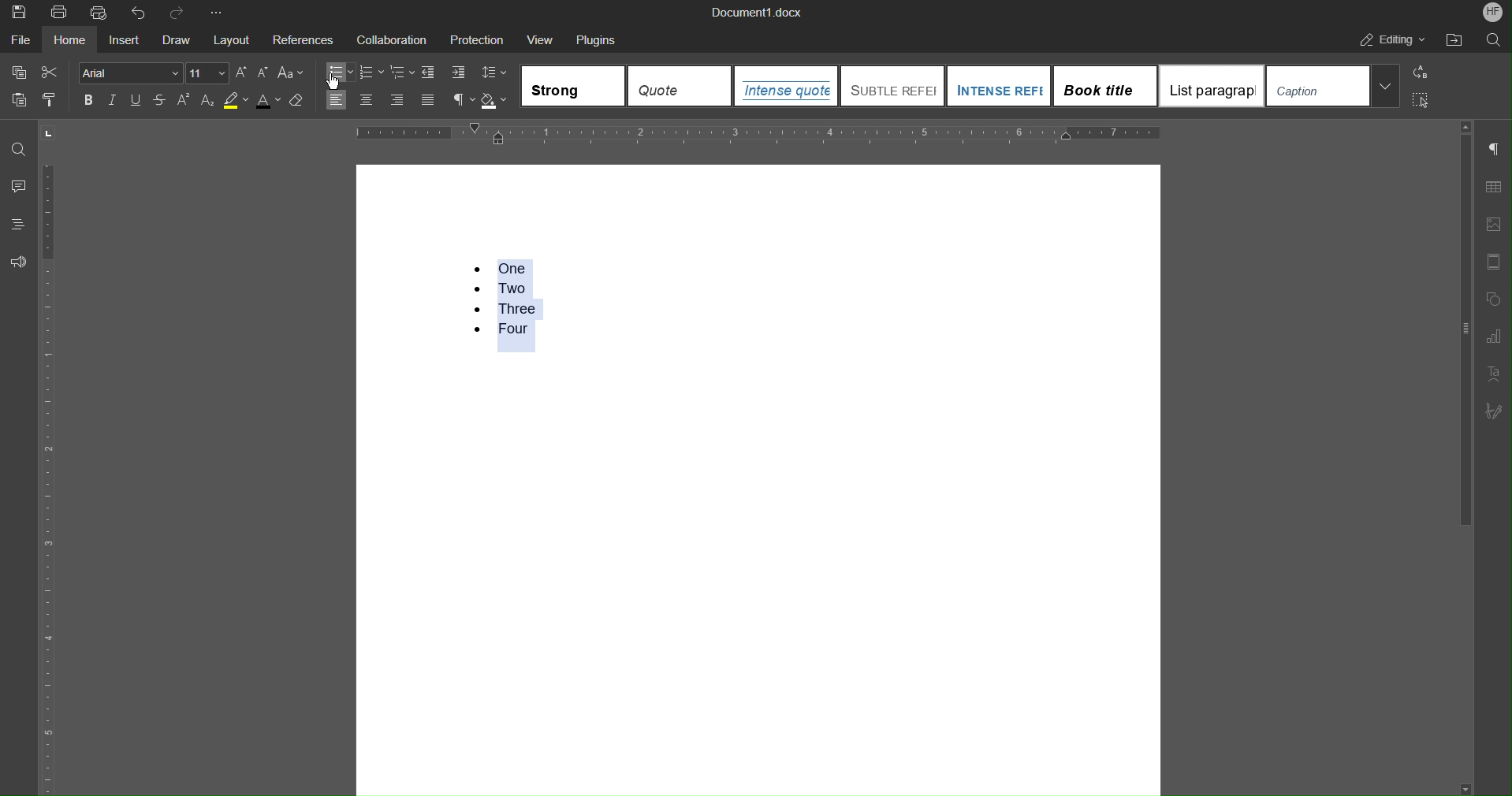 The height and width of the screenshot is (796, 1512). Describe the element at coordinates (1334, 85) in the screenshot. I see `Caption` at that location.